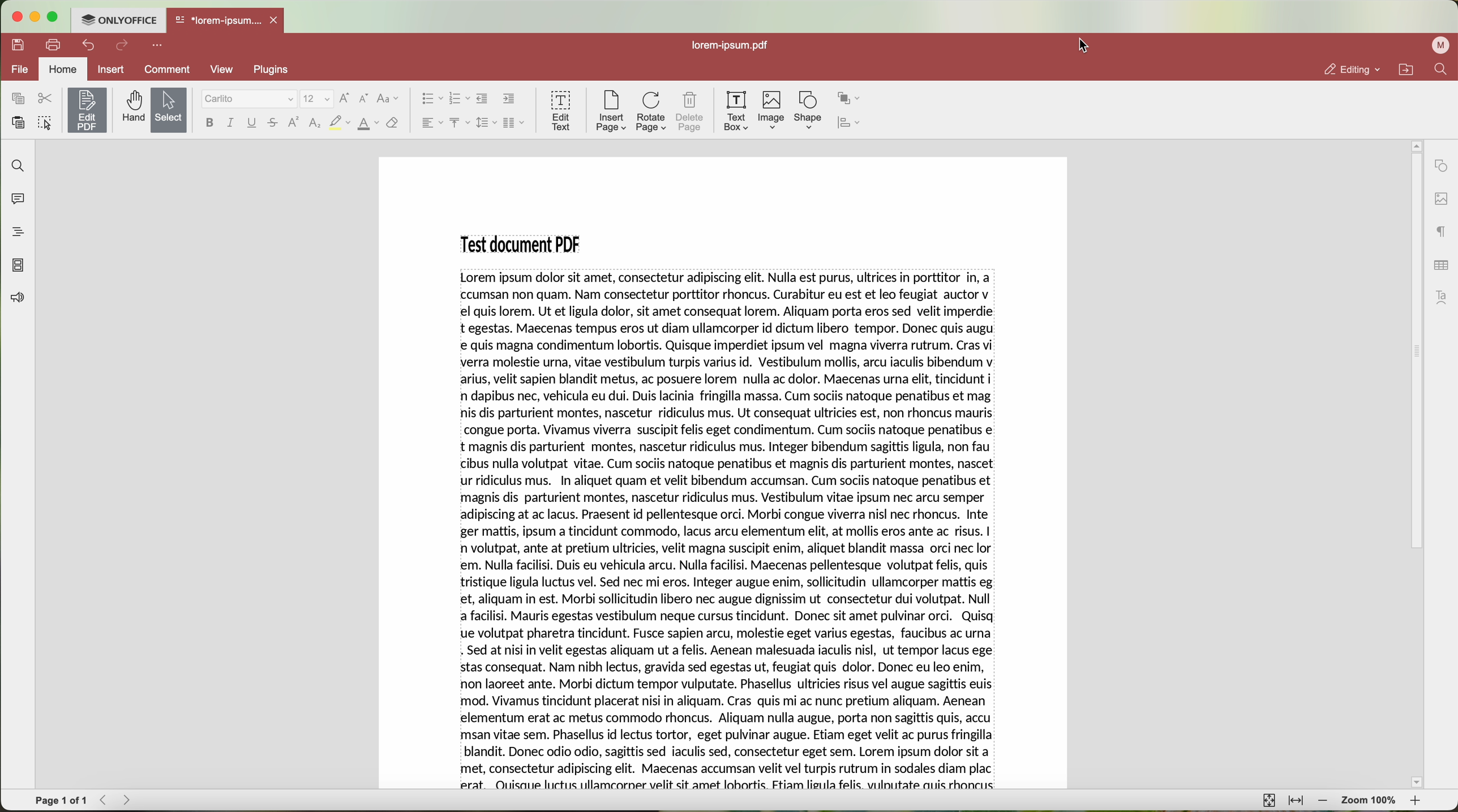  Describe the element at coordinates (85, 110) in the screenshot. I see `edit PDF` at that location.